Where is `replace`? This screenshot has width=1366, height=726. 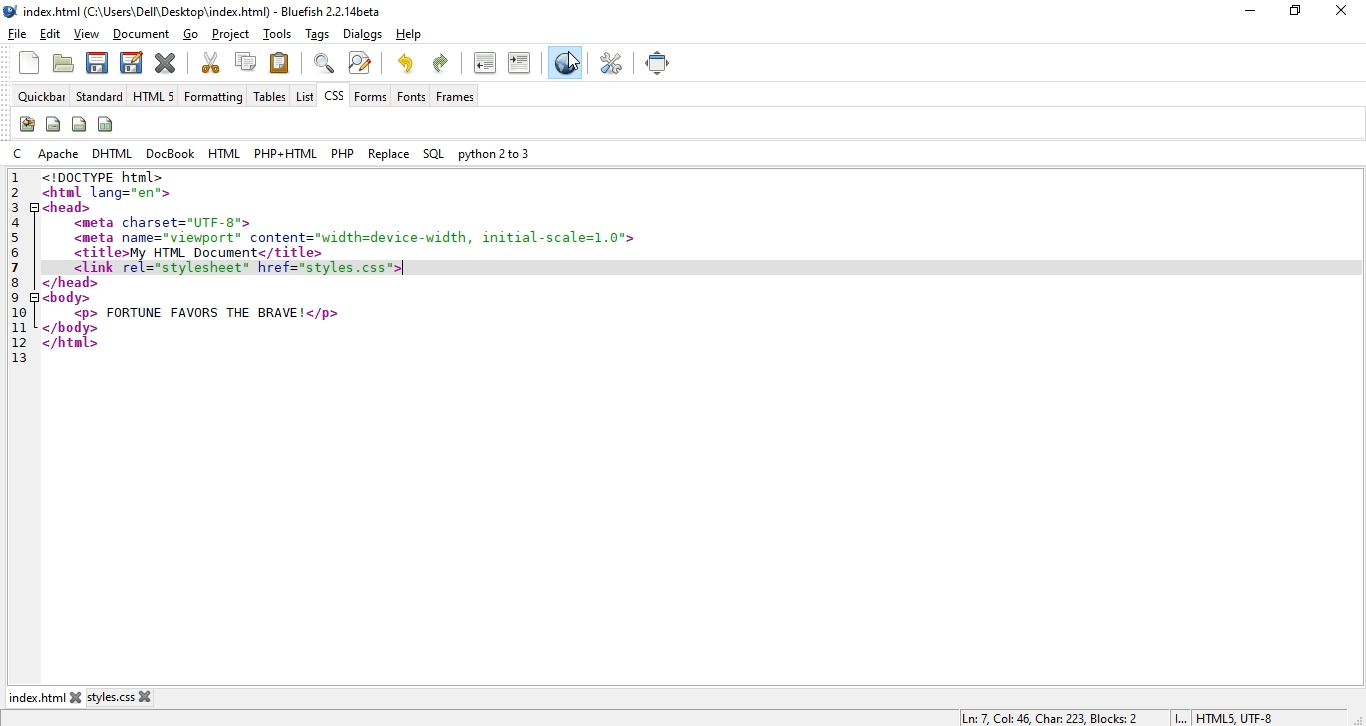
replace is located at coordinates (389, 153).